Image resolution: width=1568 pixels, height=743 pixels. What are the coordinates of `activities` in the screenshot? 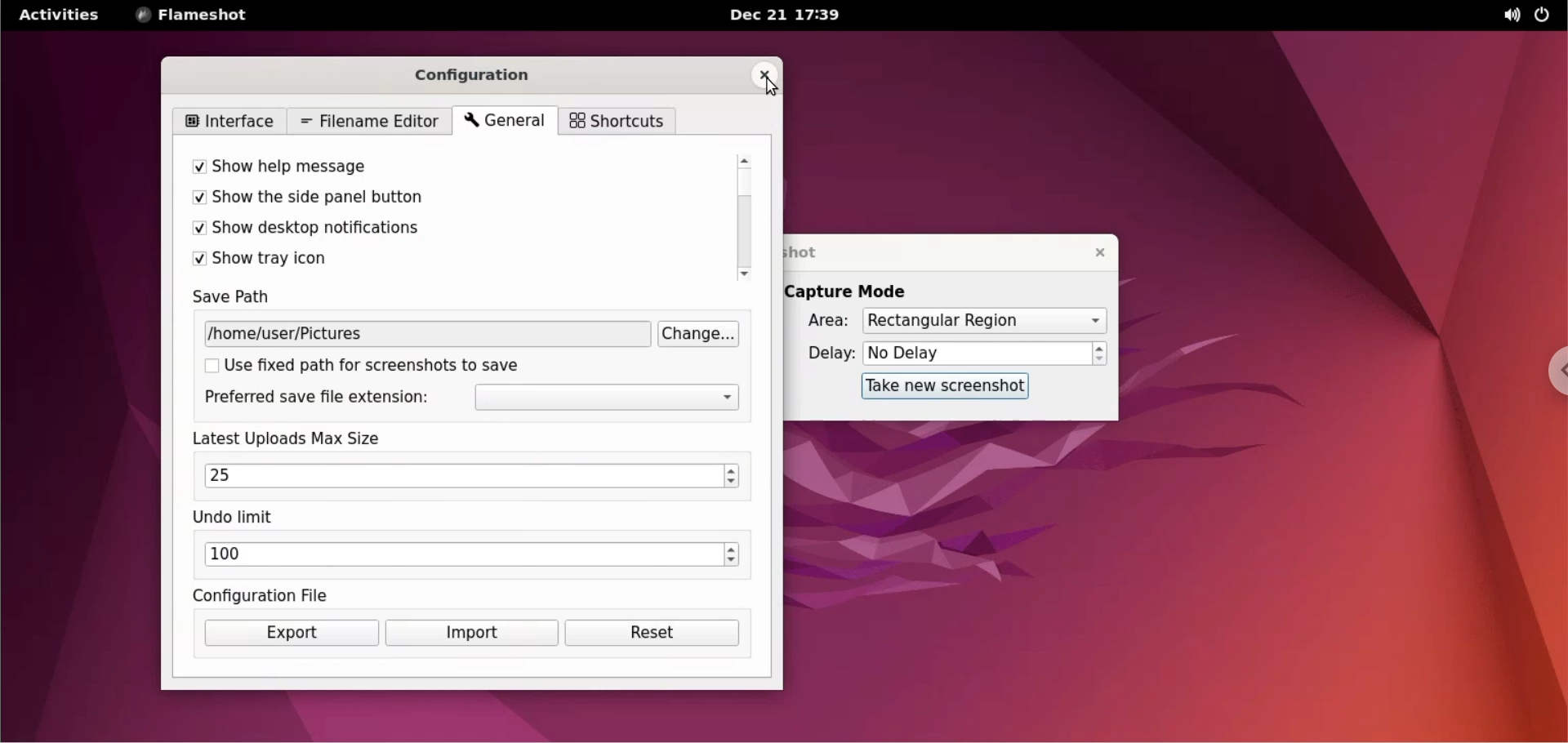 It's located at (60, 14).